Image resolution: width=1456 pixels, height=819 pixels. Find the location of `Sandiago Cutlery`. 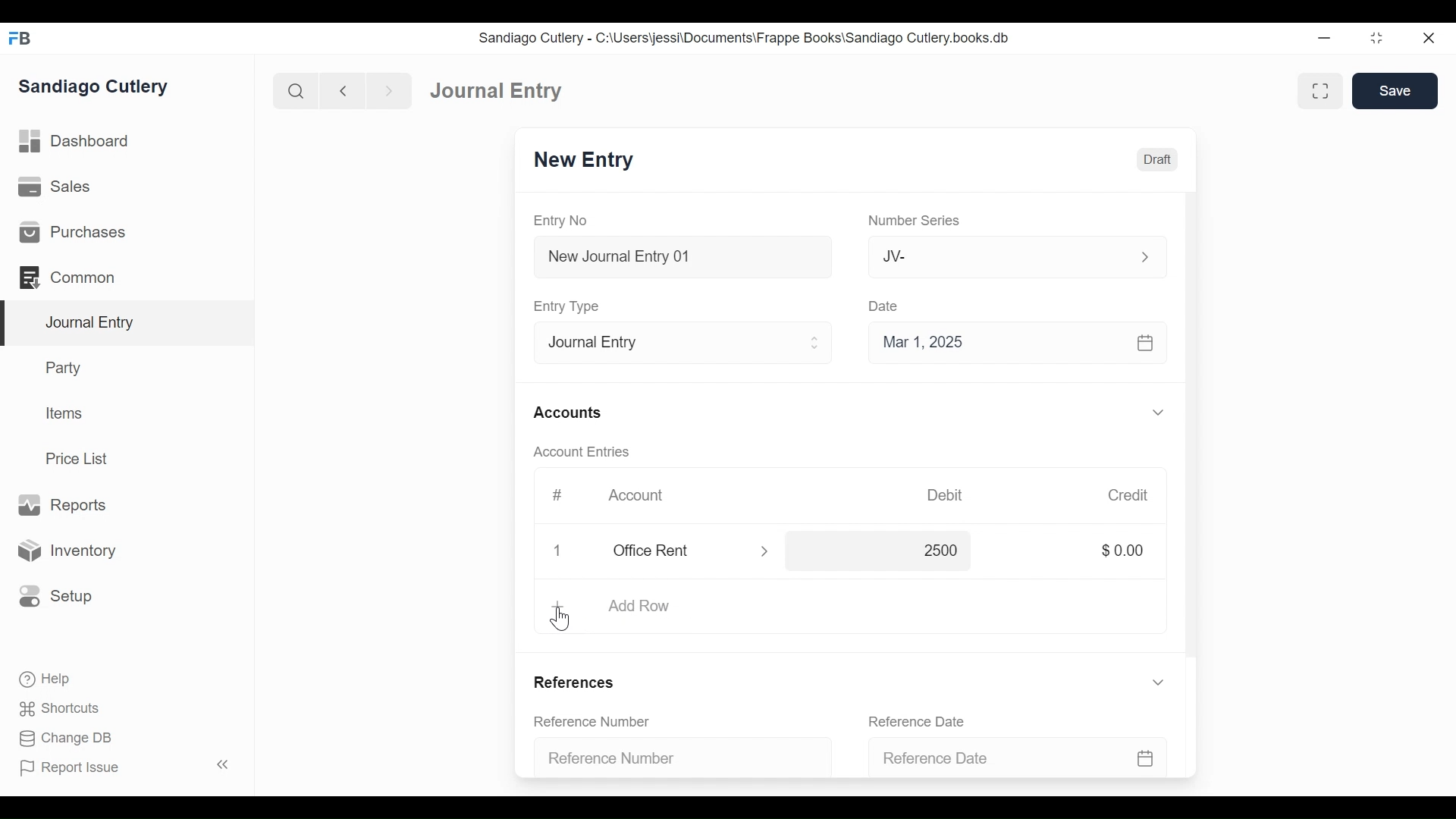

Sandiago Cutlery is located at coordinates (102, 88).